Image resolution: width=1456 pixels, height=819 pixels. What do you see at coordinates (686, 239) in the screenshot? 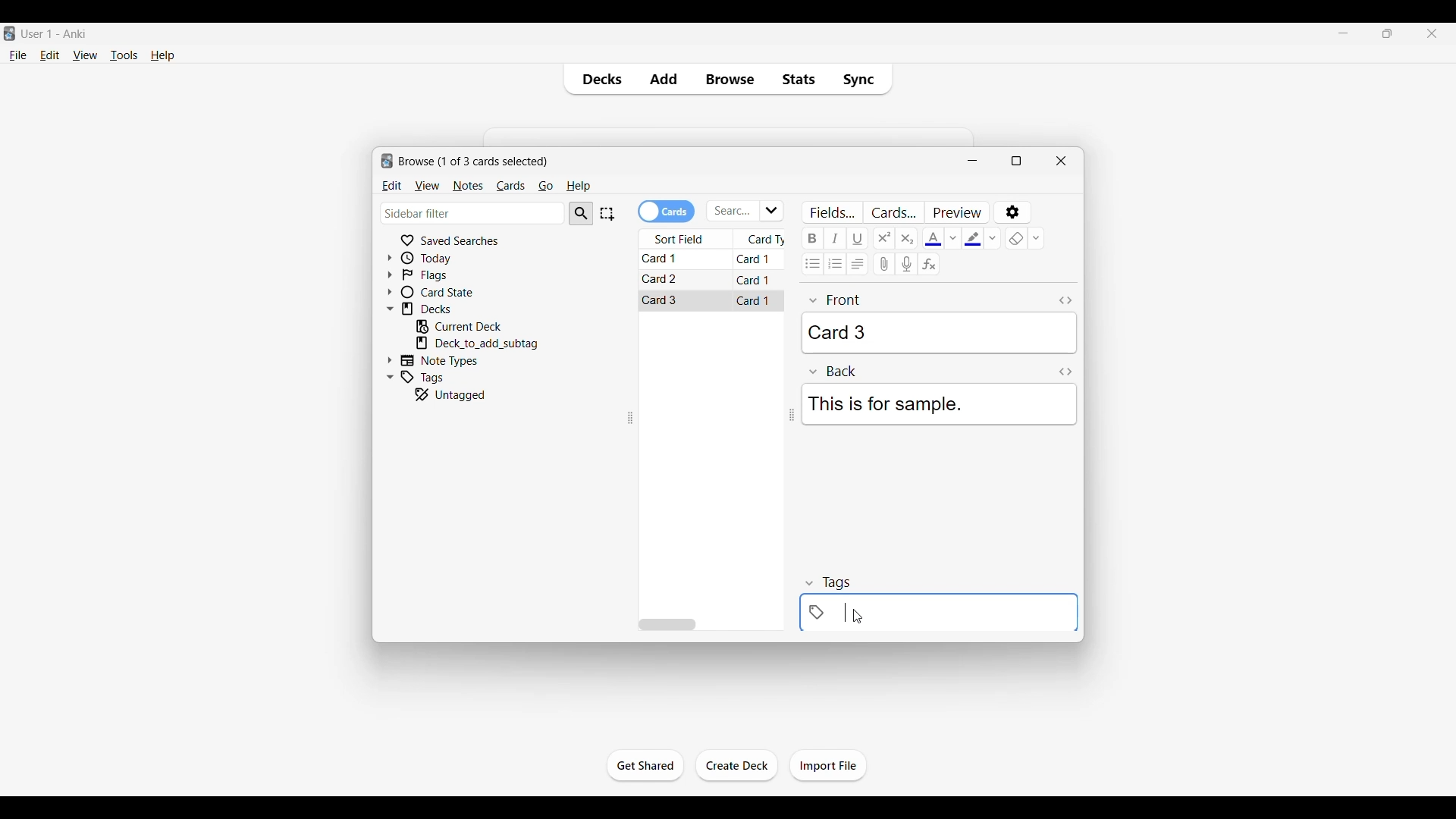
I see `Sort field column` at bounding box center [686, 239].